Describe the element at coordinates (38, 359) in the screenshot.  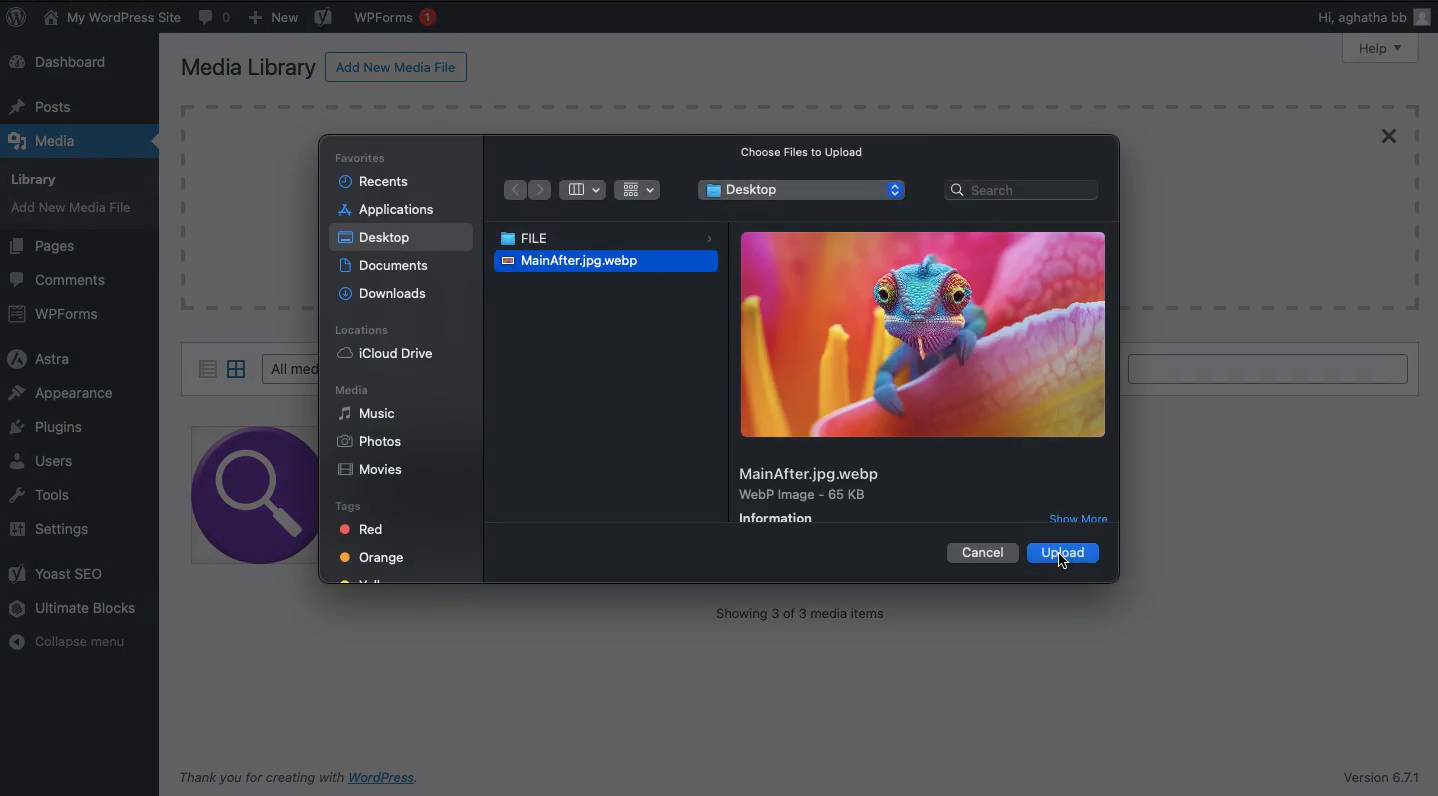
I see `Astra` at that location.